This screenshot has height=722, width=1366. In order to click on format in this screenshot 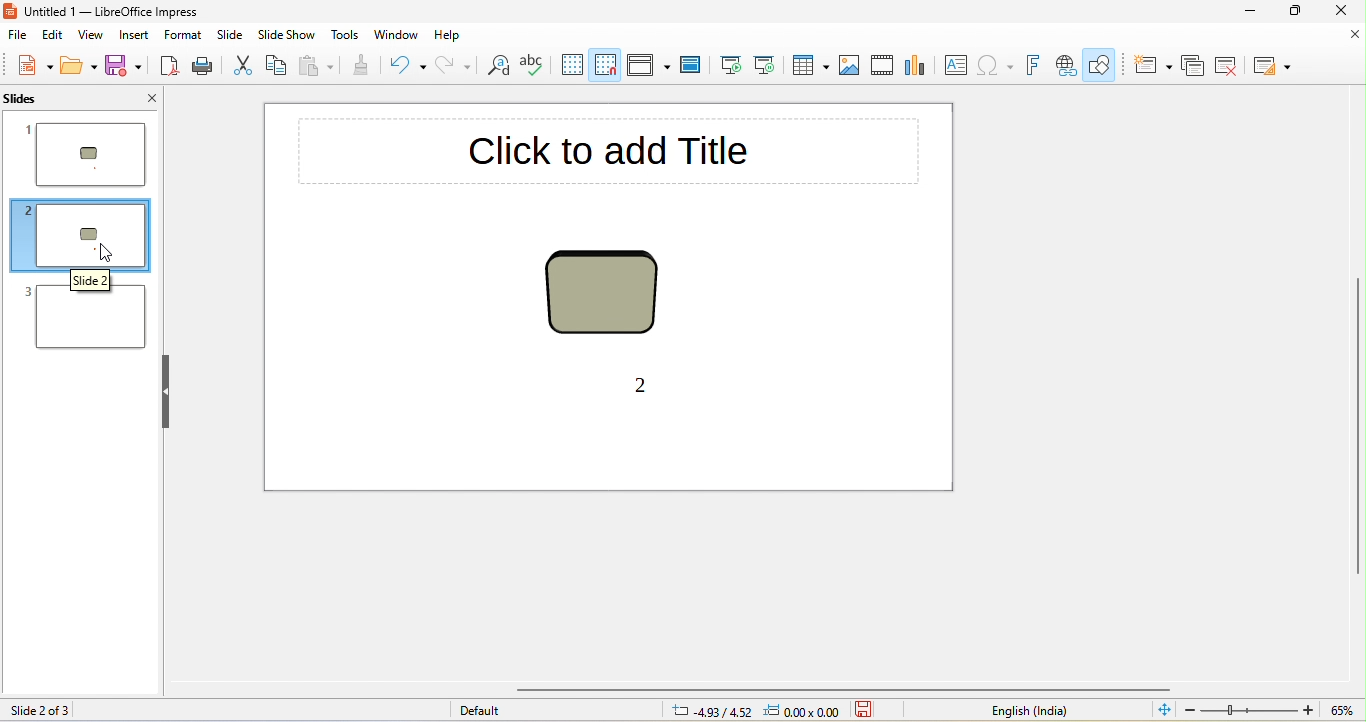, I will do `click(184, 37)`.